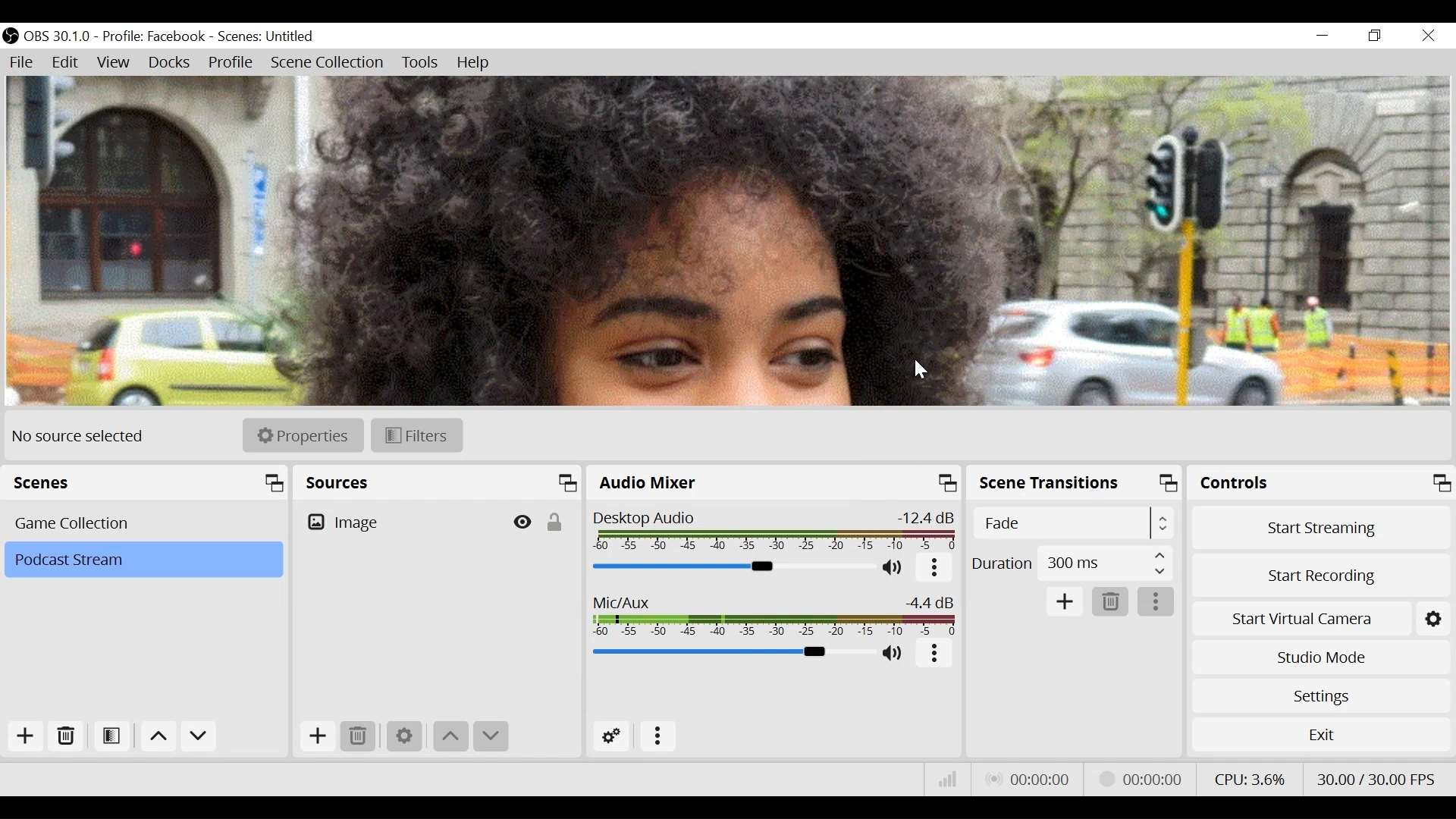 This screenshot has height=819, width=1456. I want to click on (un)mute, so click(894, 568).